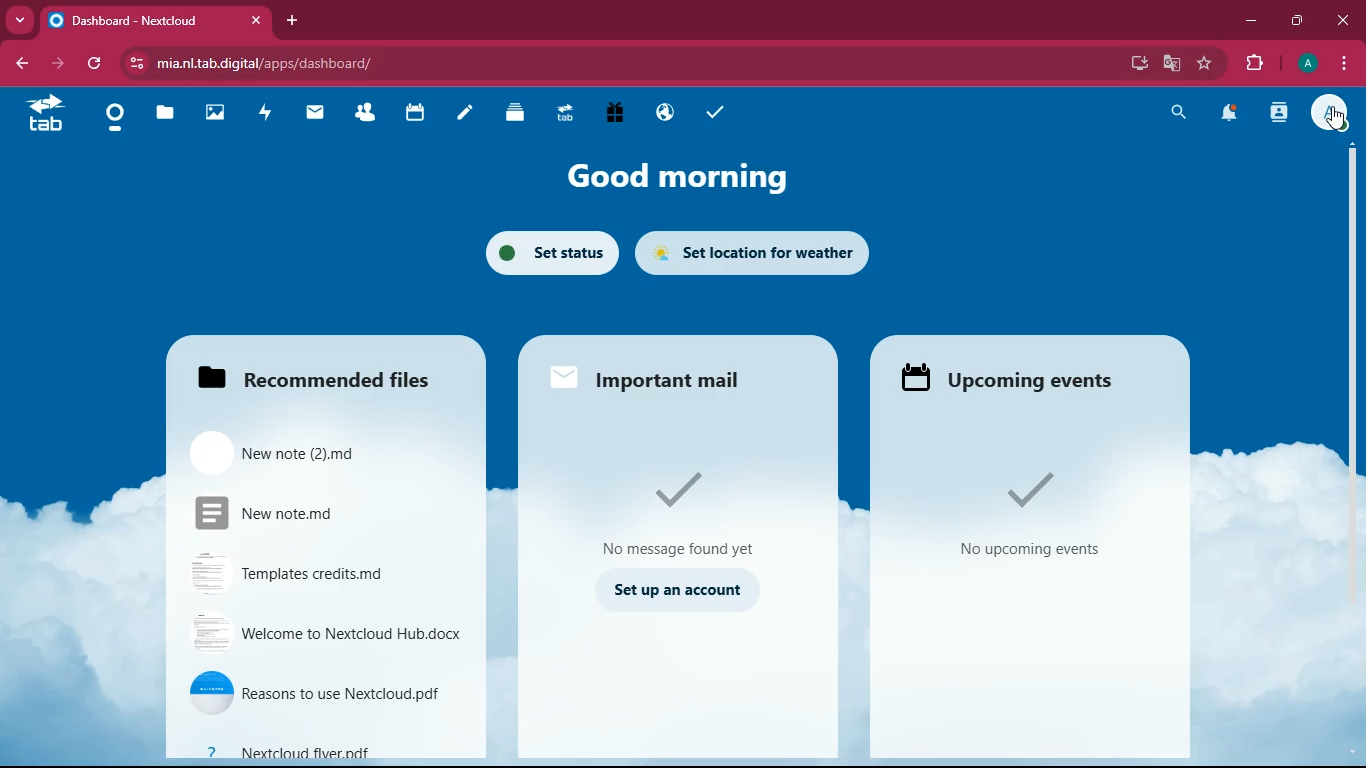 This screenshot has height=768, width=1366. What do you see at coordinates (164, 115) in the screenshot?
I see `files` at bounding box center [164, 115].